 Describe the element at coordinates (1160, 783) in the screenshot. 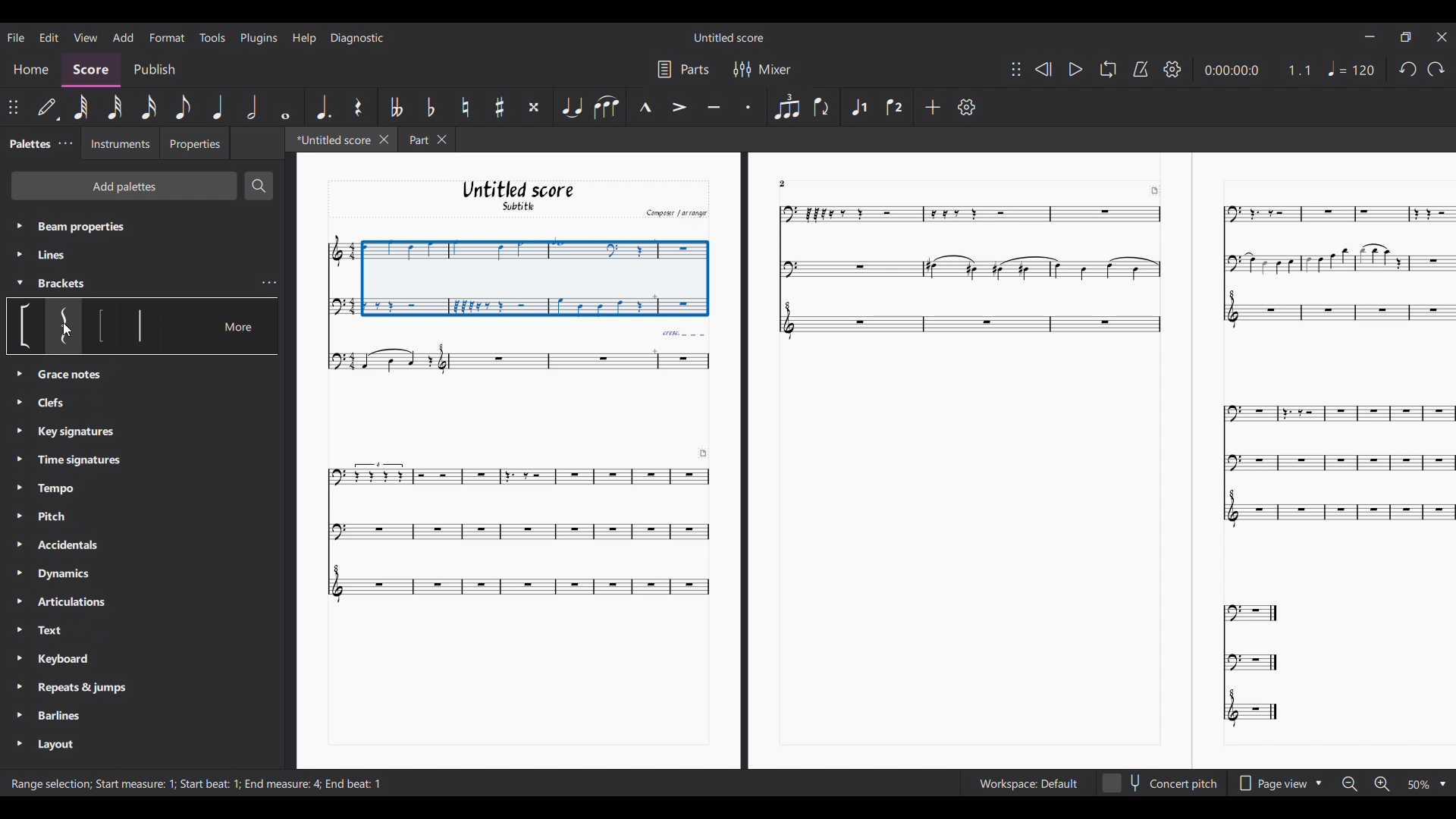

I see `Concert pitch toggle` at that location.